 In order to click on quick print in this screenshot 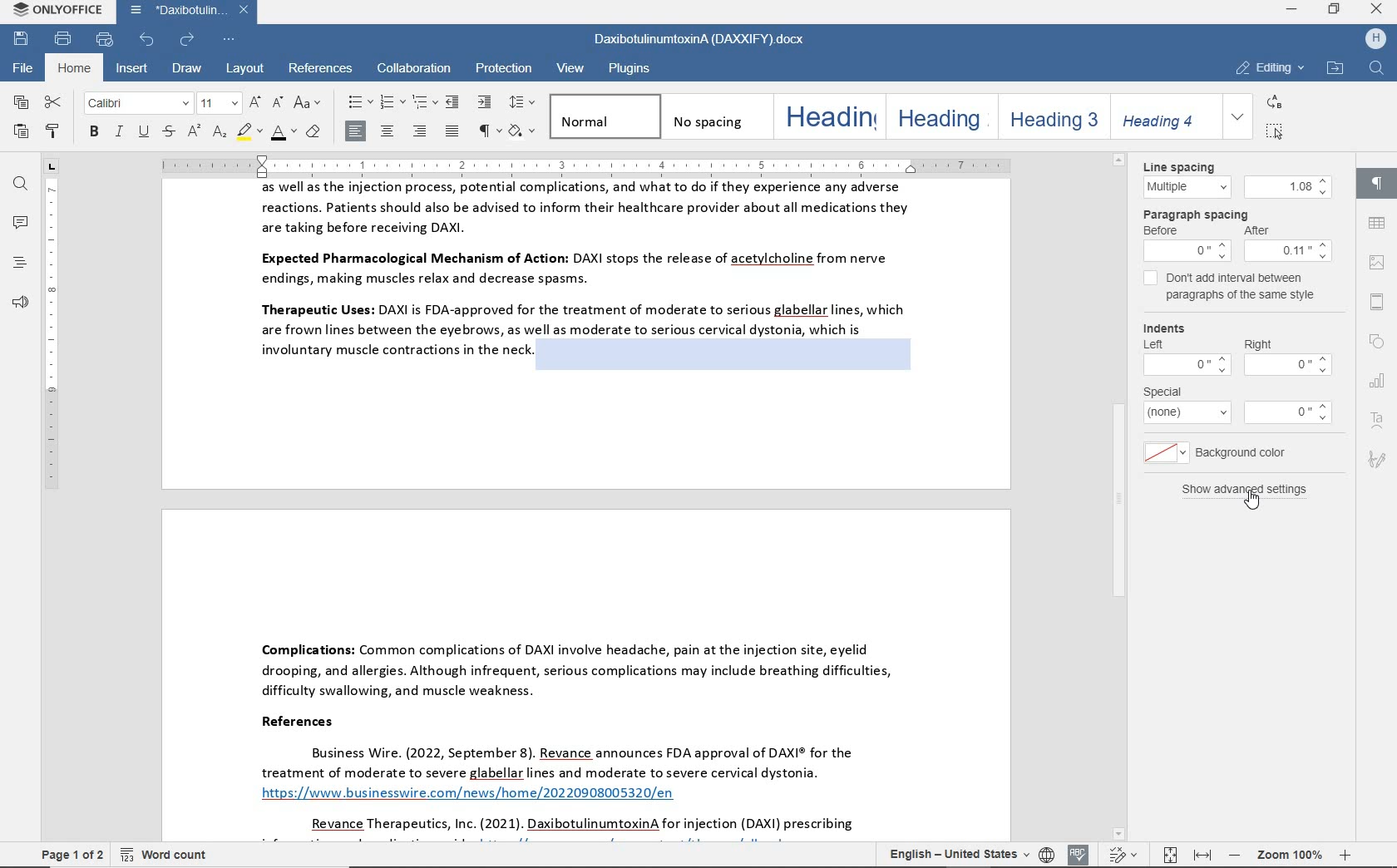, I will do `click(106, 40)`.